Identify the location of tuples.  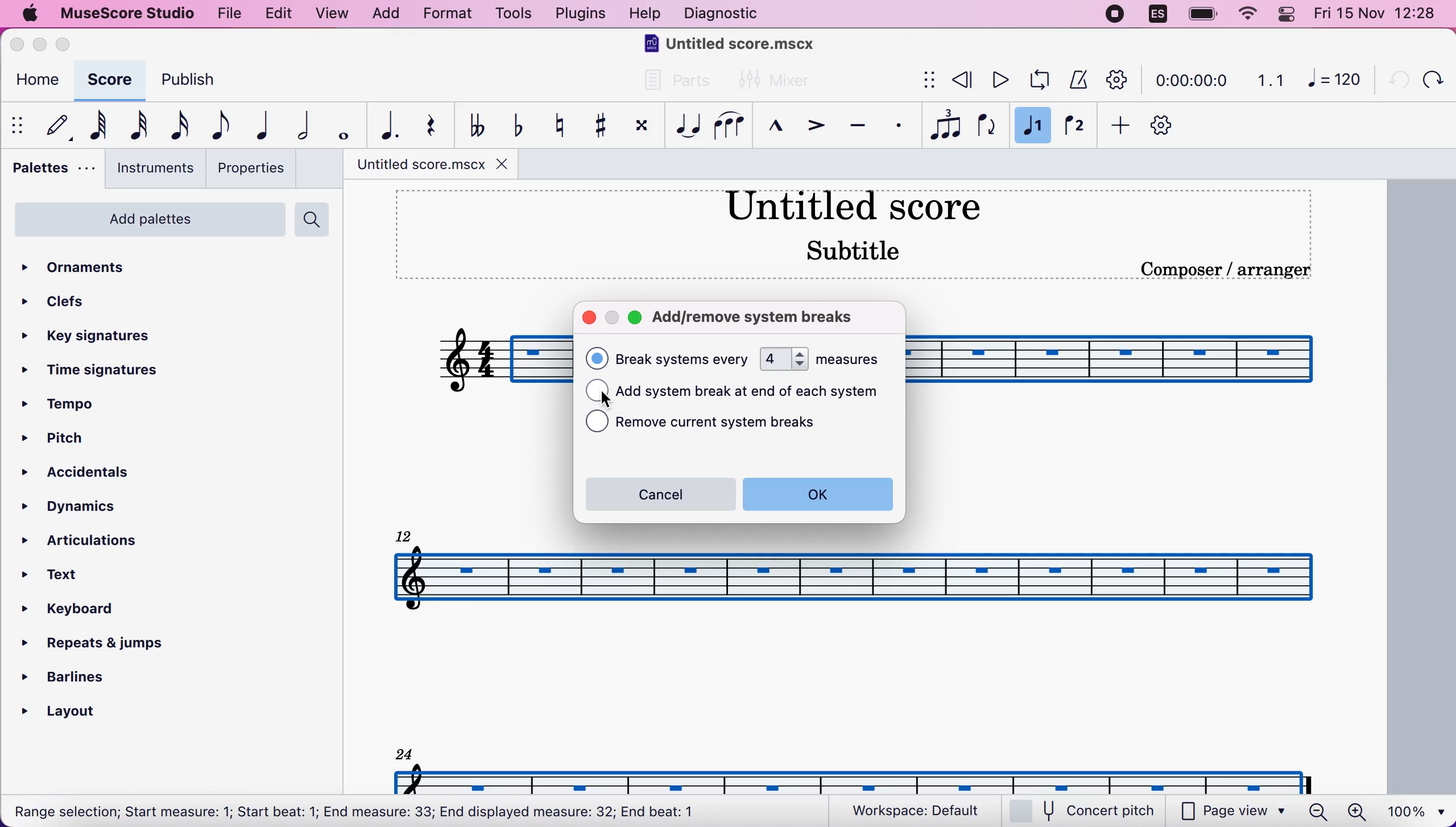
(946, 126).